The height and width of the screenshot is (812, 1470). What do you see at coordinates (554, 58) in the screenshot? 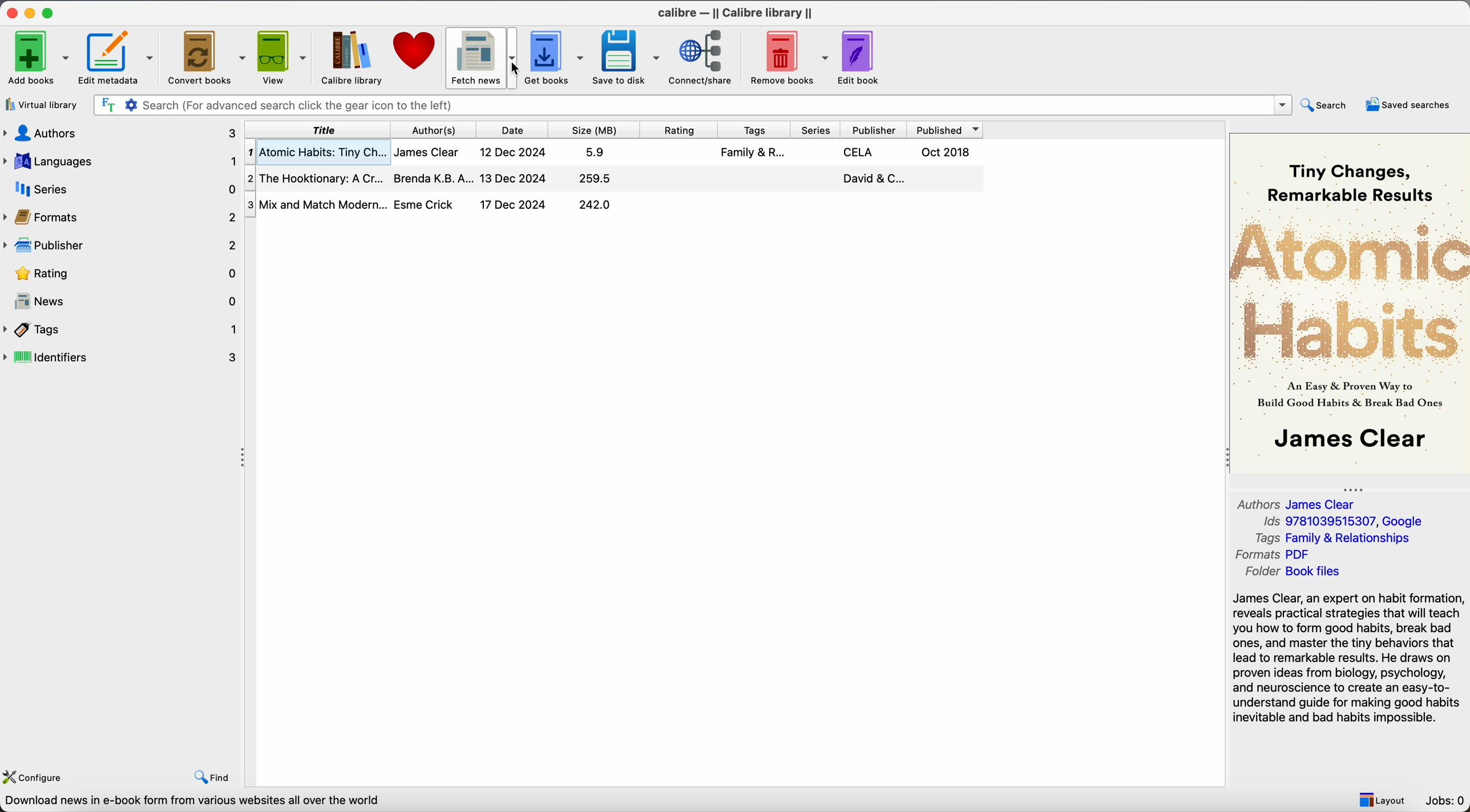
I see `get books` at bounding box center [554, 58].